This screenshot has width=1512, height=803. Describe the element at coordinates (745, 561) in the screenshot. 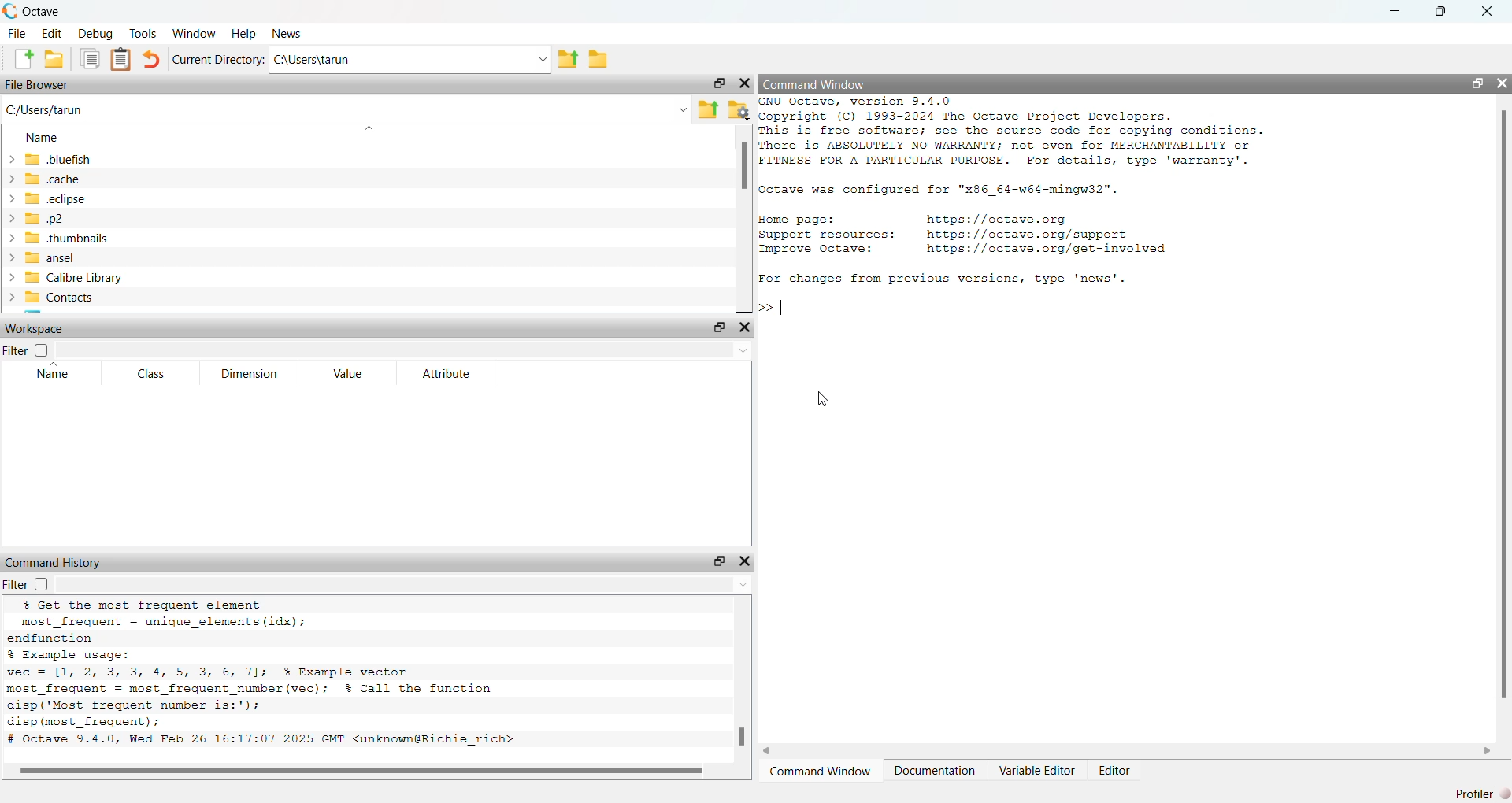

I see `Hide Widget` at that location.